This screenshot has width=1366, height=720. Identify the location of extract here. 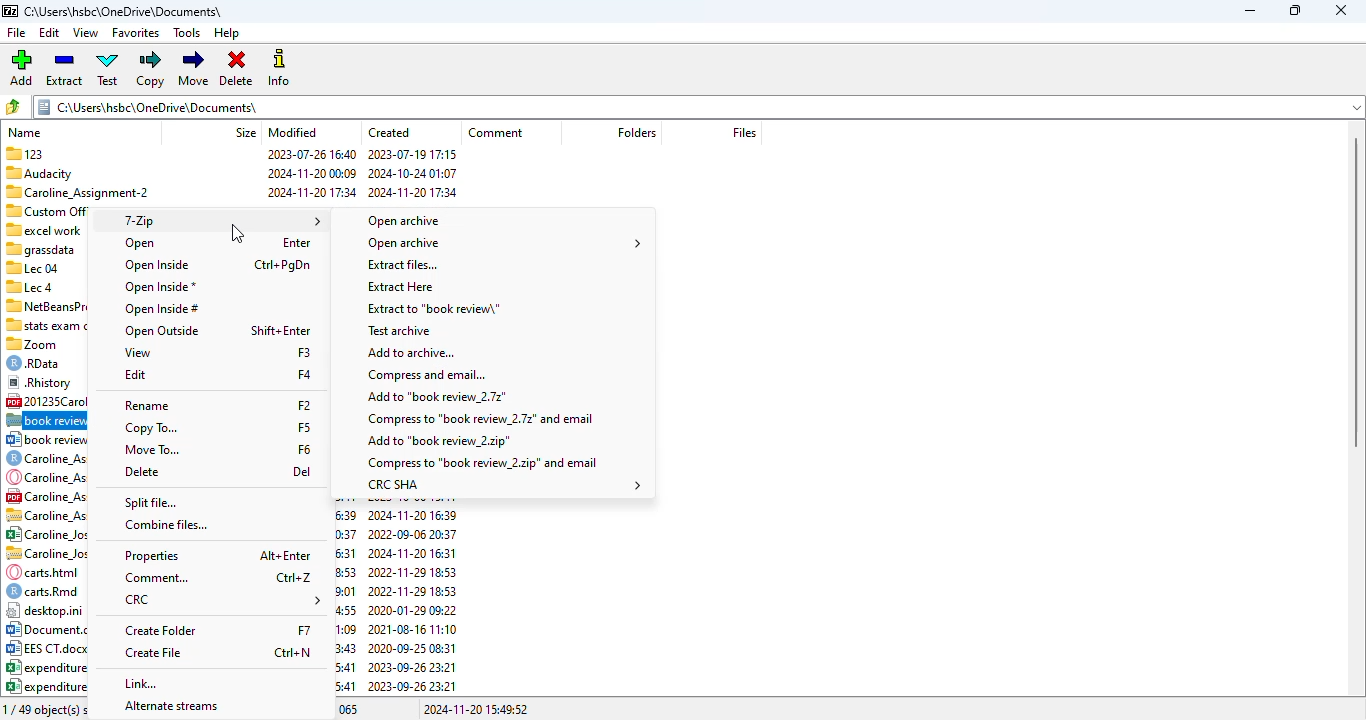
(402, 287).